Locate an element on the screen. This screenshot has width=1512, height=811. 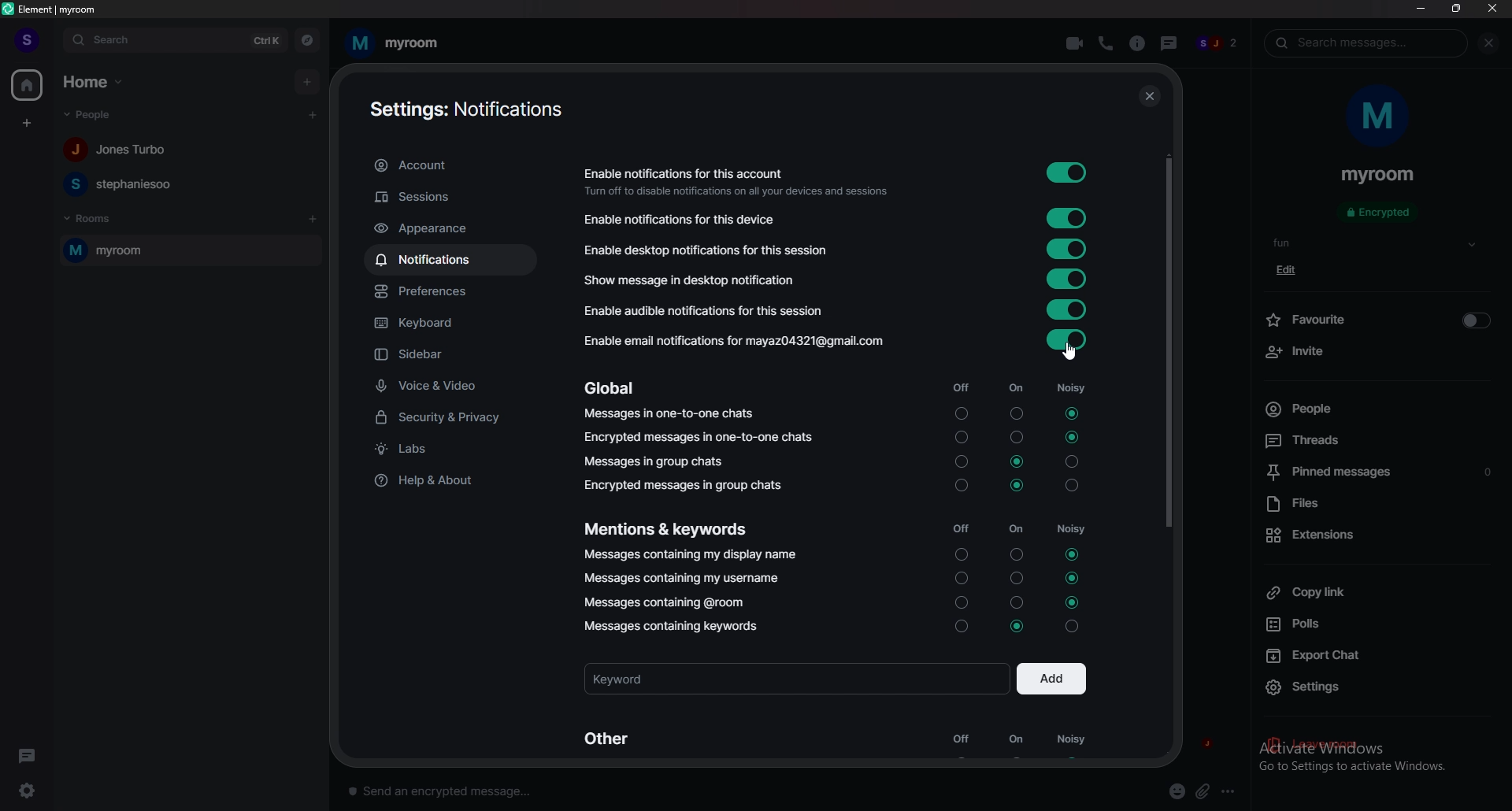
notifications for this session is located at coordinates (835, 249).